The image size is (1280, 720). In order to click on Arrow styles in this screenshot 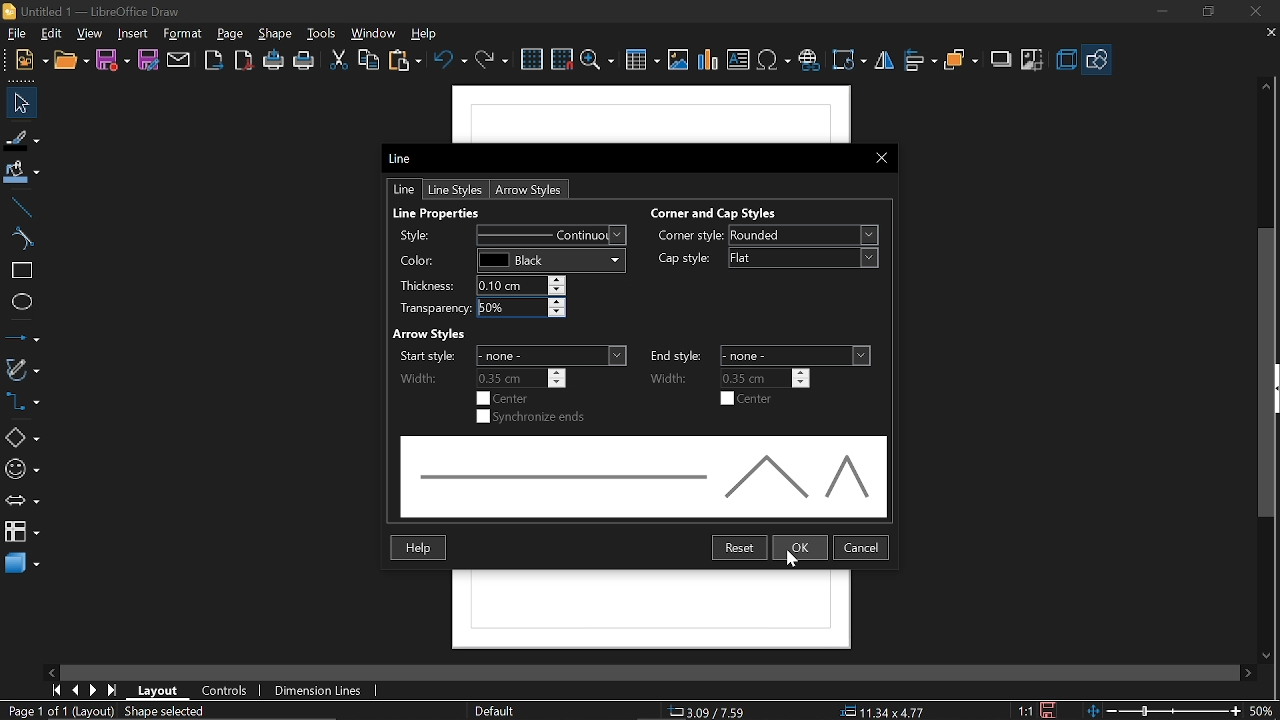, I will do `click(530, 190)`.